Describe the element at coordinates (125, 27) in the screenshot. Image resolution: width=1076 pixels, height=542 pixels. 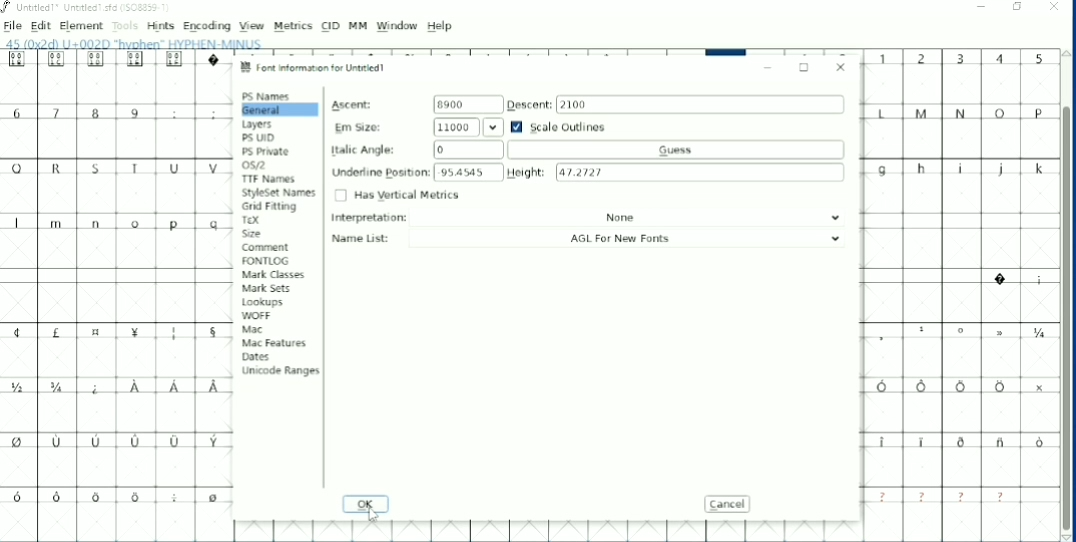
I see `Tools` at that location.